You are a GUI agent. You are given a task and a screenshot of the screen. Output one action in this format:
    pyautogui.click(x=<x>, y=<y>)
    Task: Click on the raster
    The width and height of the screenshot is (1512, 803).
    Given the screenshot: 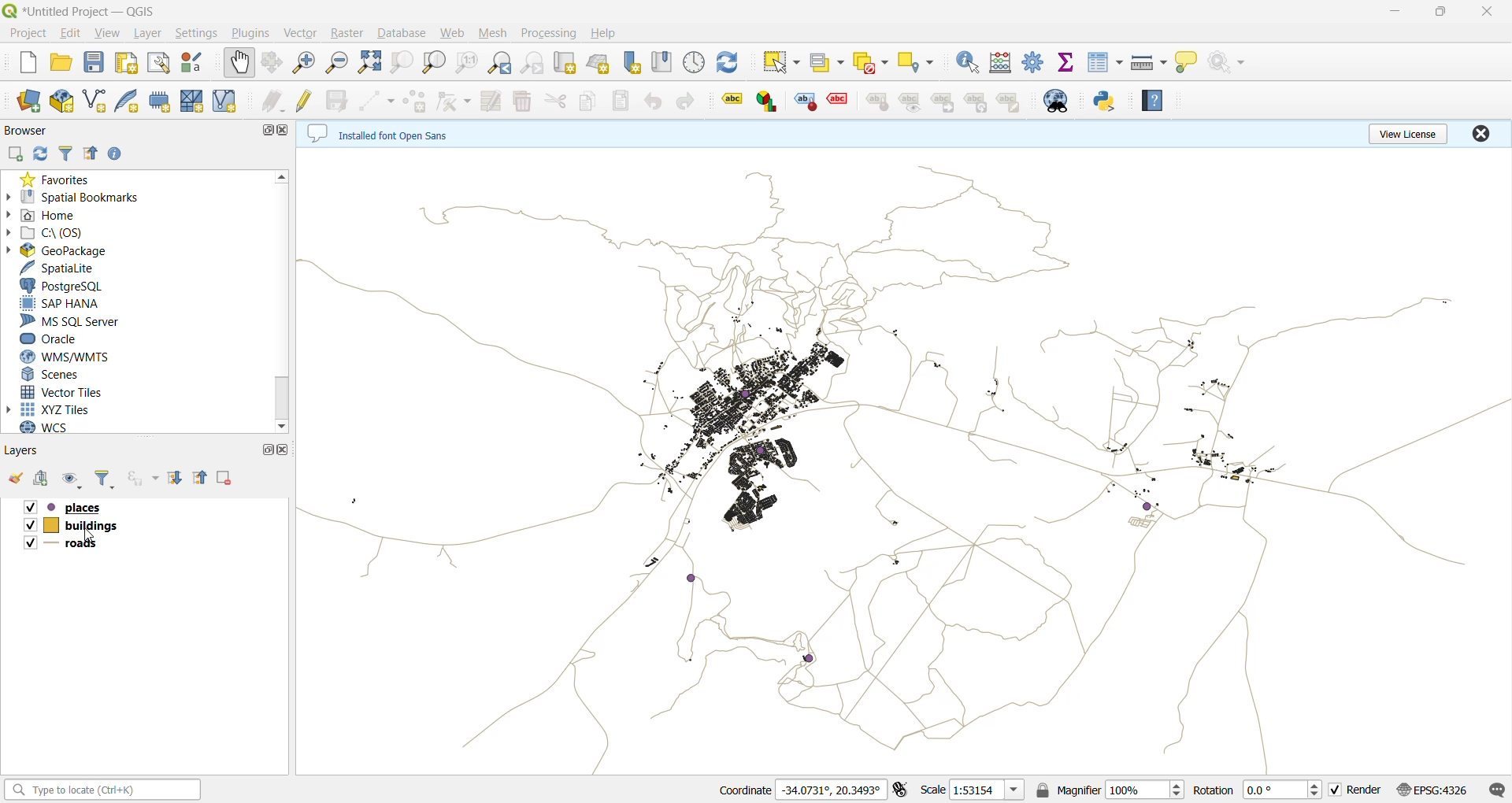 What is the action you would take?
    pyautogui.click(x=350, y=32)
    